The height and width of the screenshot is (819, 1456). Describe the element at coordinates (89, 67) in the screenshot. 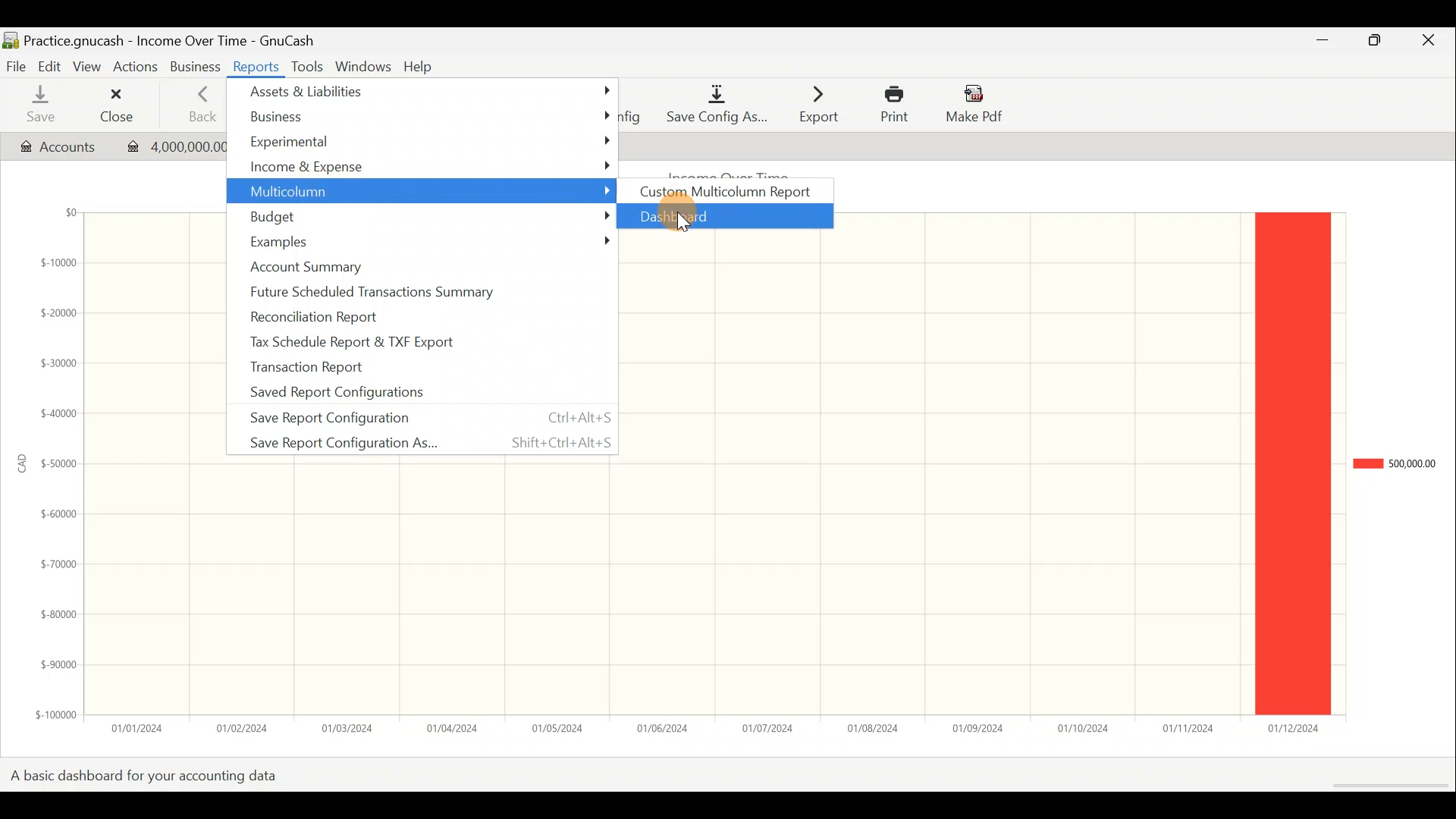

I see `View` at that location.